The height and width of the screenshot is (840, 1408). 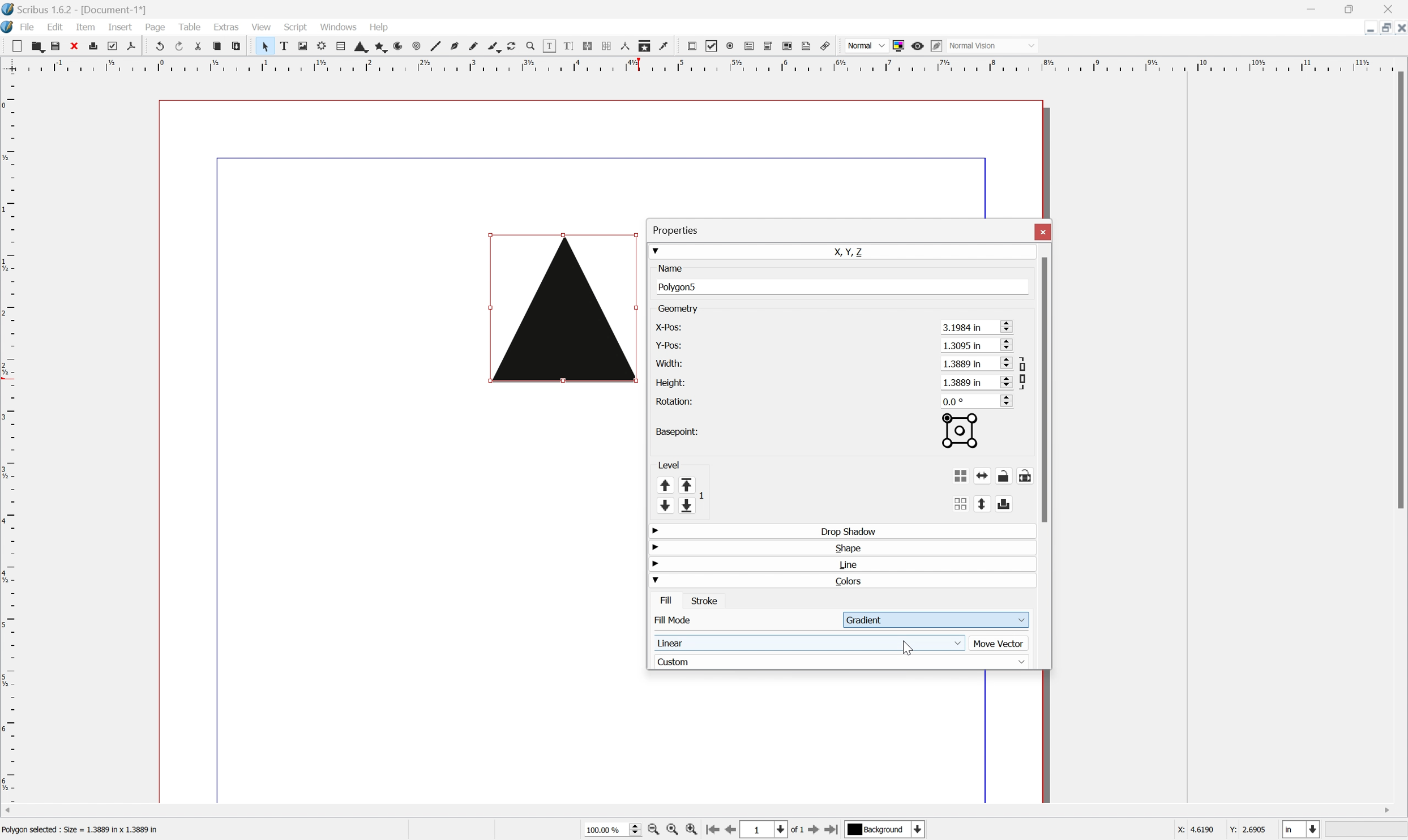 What do you see at coordinates (267, 48) in the screenshot?
I see `Select frame` at bounding box center [267, 48].